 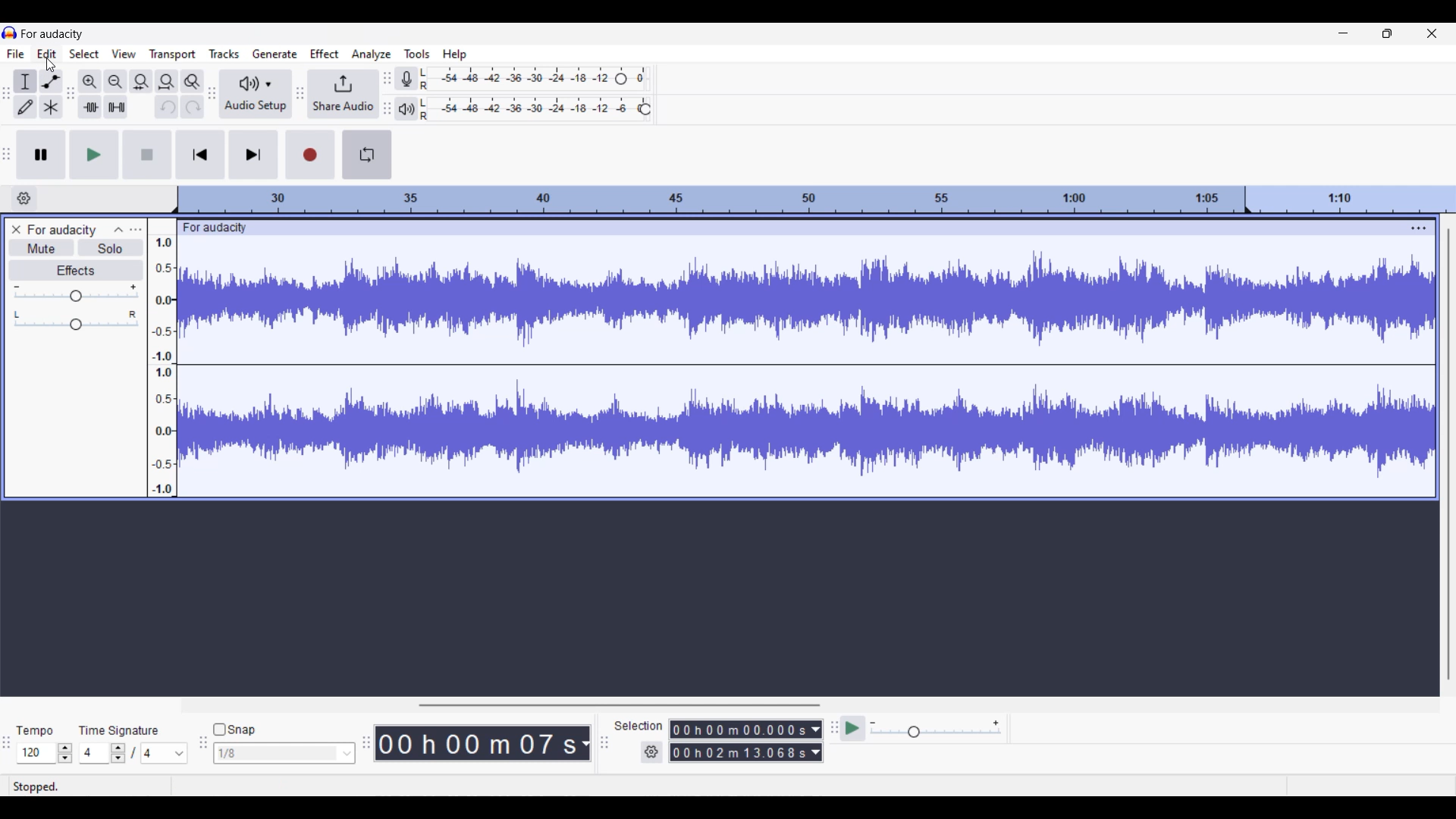 What do you see at coordinates (1344, 33) in the screenshot?
I see `Minimize` at bounding box center [1344, 33].